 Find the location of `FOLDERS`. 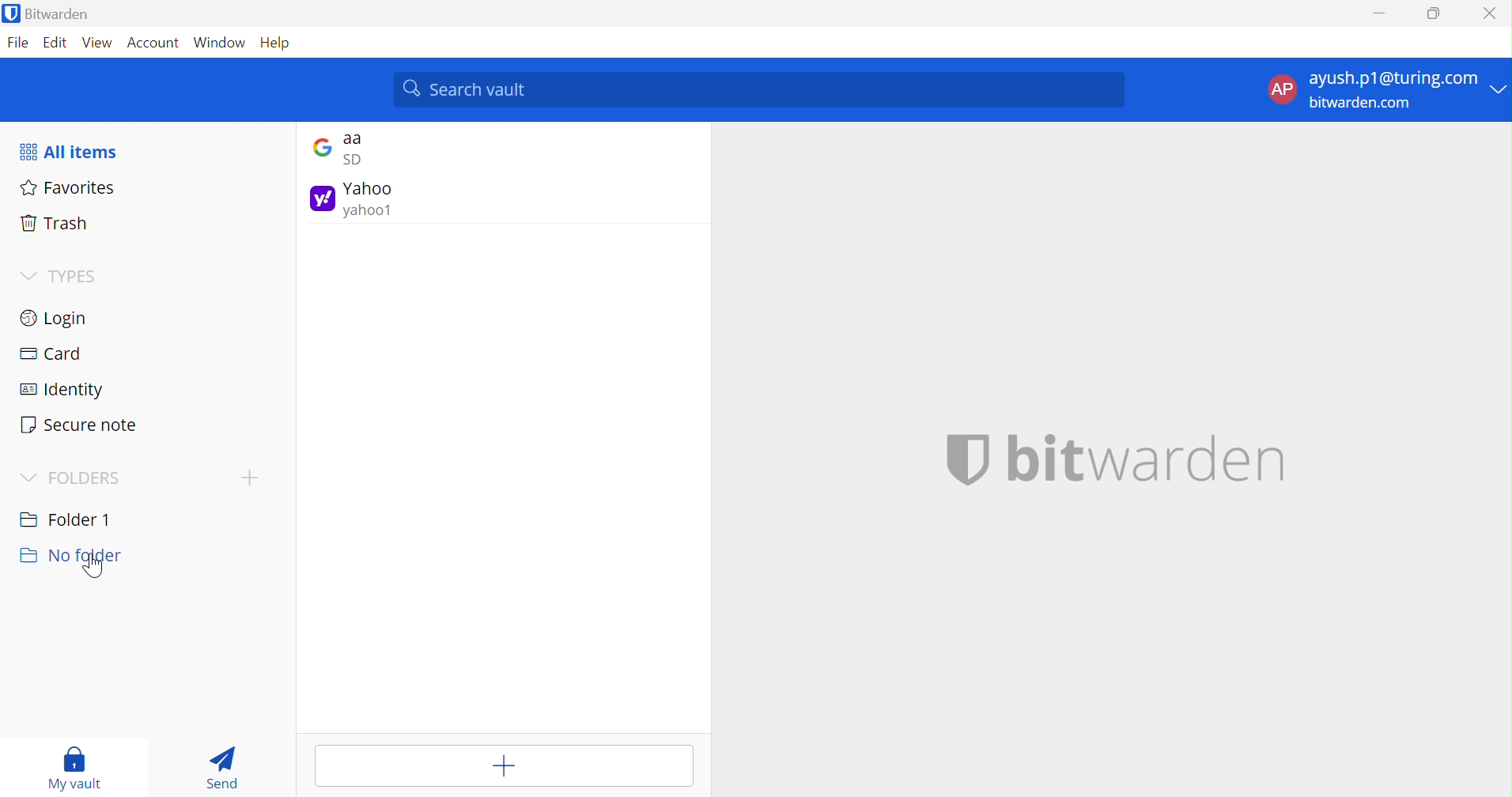

FOLDERS is located at coordinates (85, 478).